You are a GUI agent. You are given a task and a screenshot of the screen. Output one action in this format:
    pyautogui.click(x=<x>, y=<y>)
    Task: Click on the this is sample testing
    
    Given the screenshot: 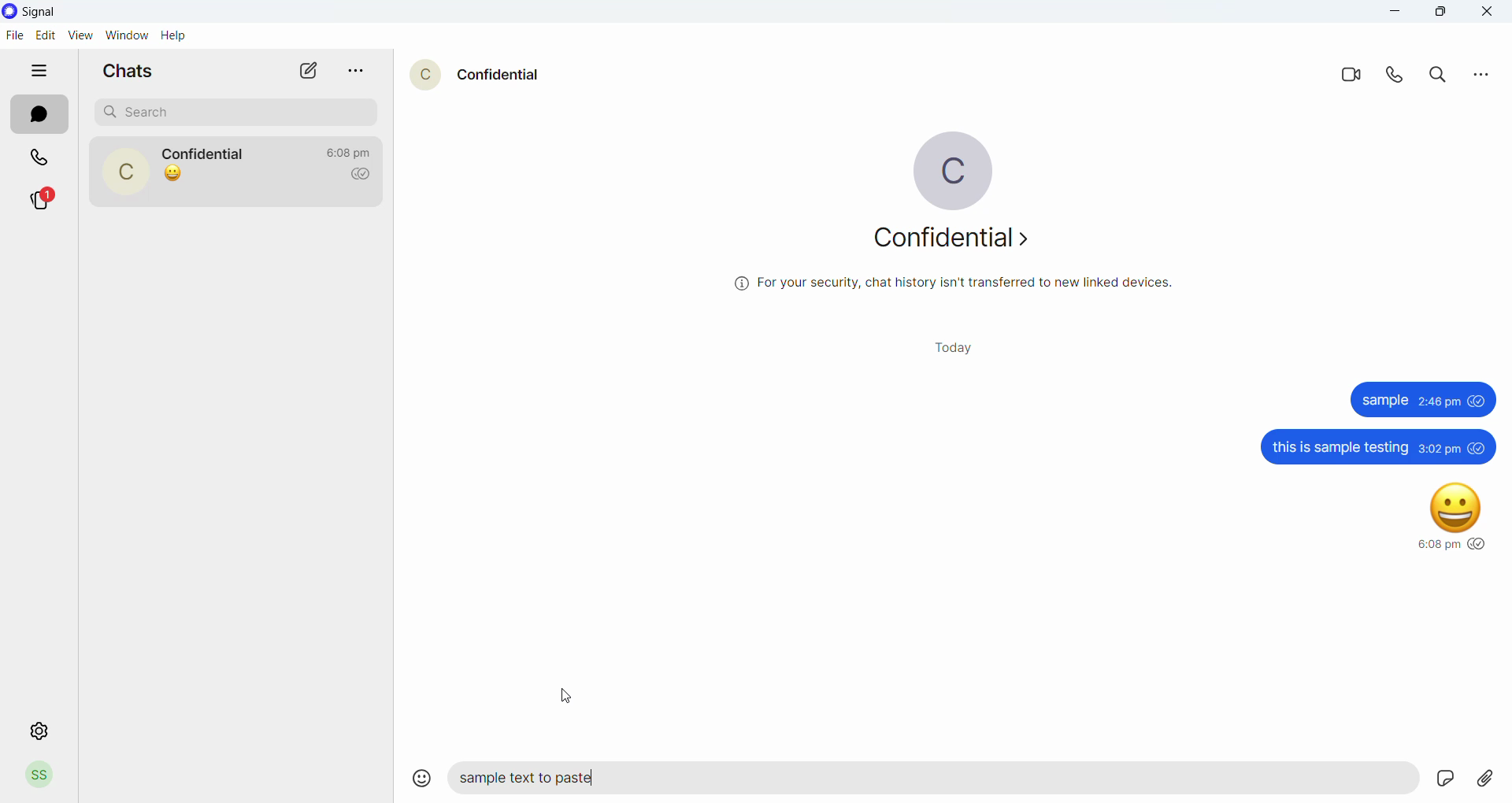 What is the action you would take?
    pyautogui.click(x=1373, y=447)
    